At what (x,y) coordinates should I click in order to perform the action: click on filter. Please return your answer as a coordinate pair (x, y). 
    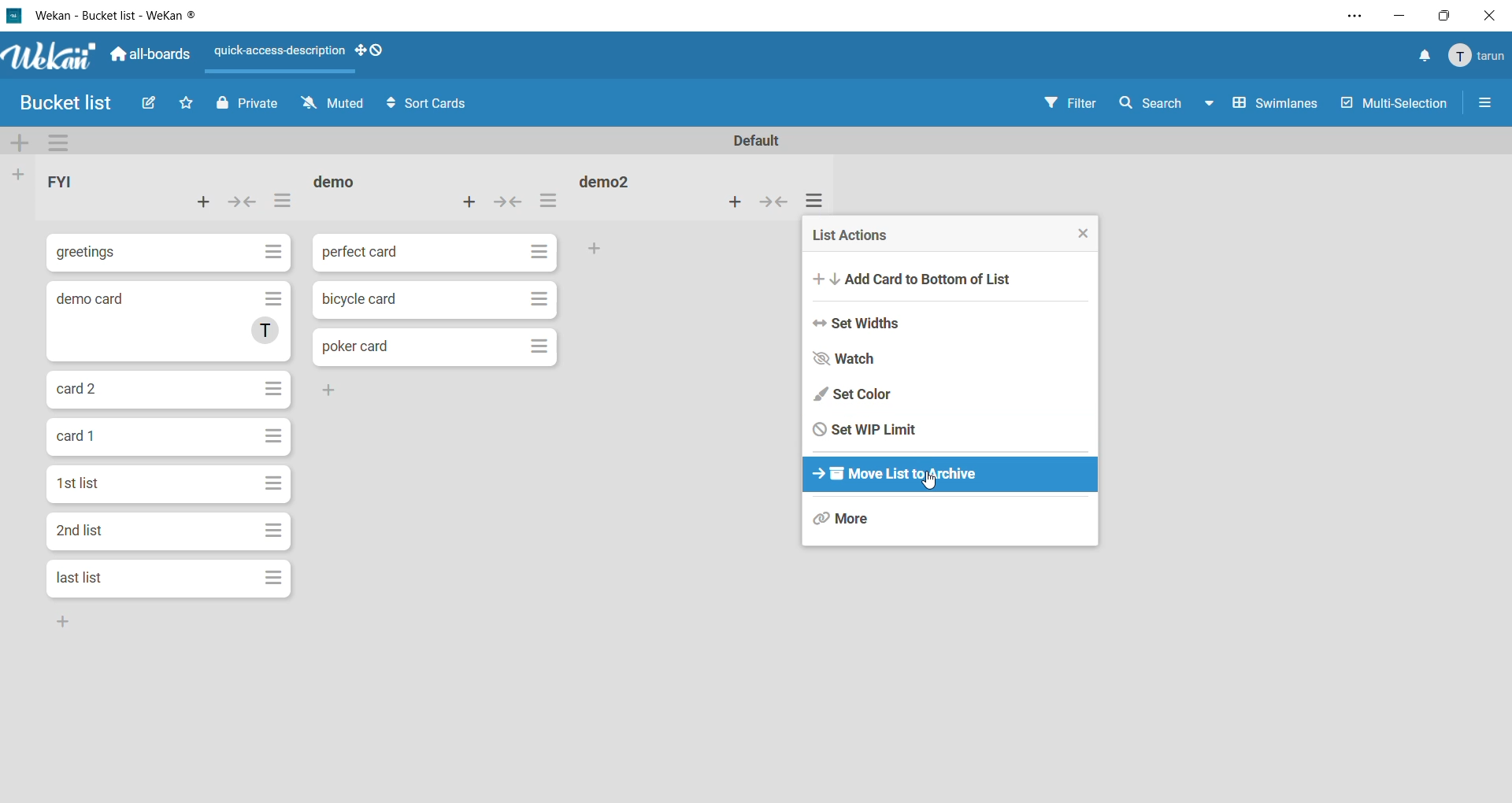
    Looking at the image, I should click on (1070, 102).